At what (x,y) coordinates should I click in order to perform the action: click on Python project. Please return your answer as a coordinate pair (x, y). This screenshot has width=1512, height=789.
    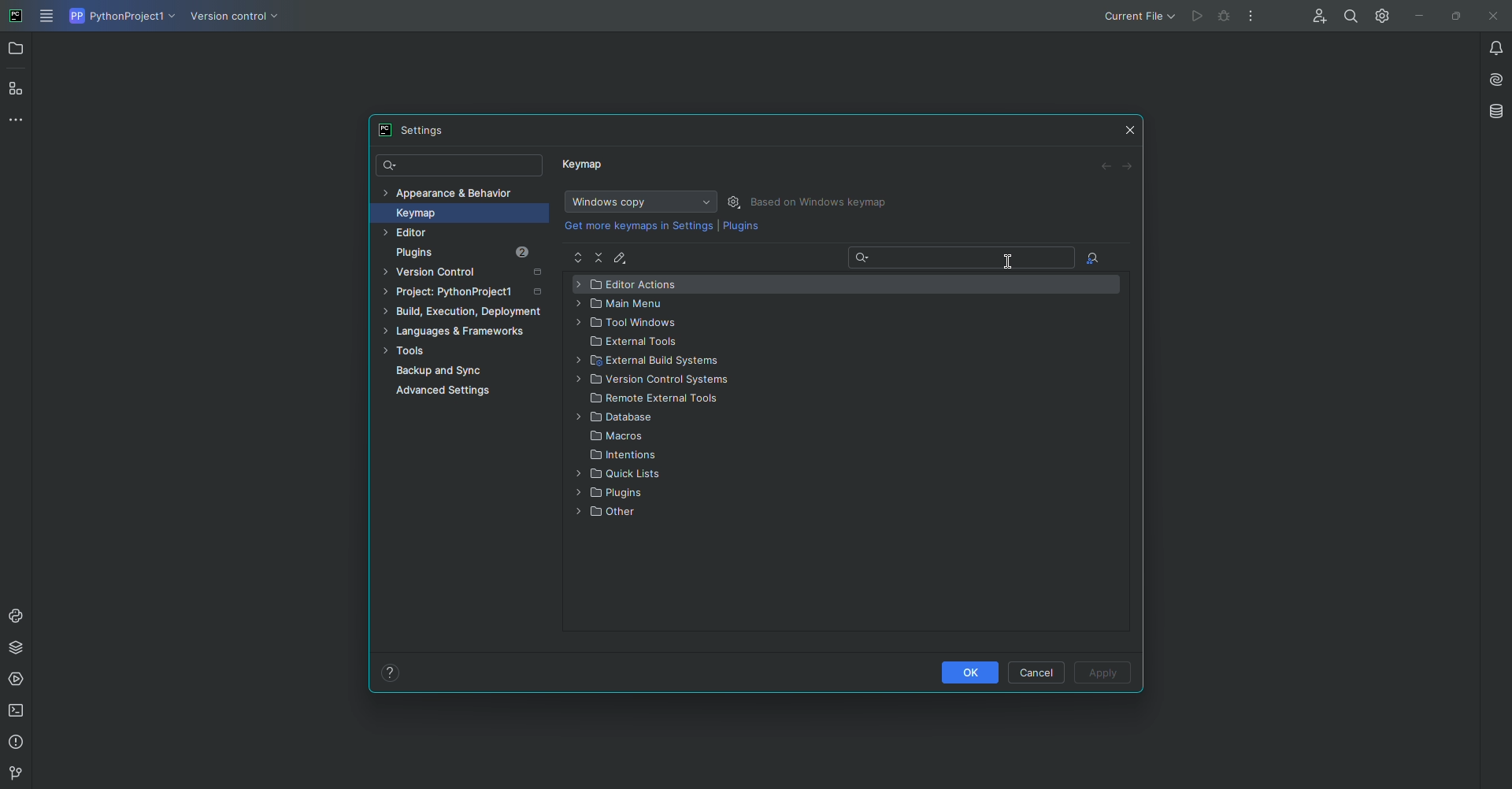
    Looking at the image, I should click on (120, 17).